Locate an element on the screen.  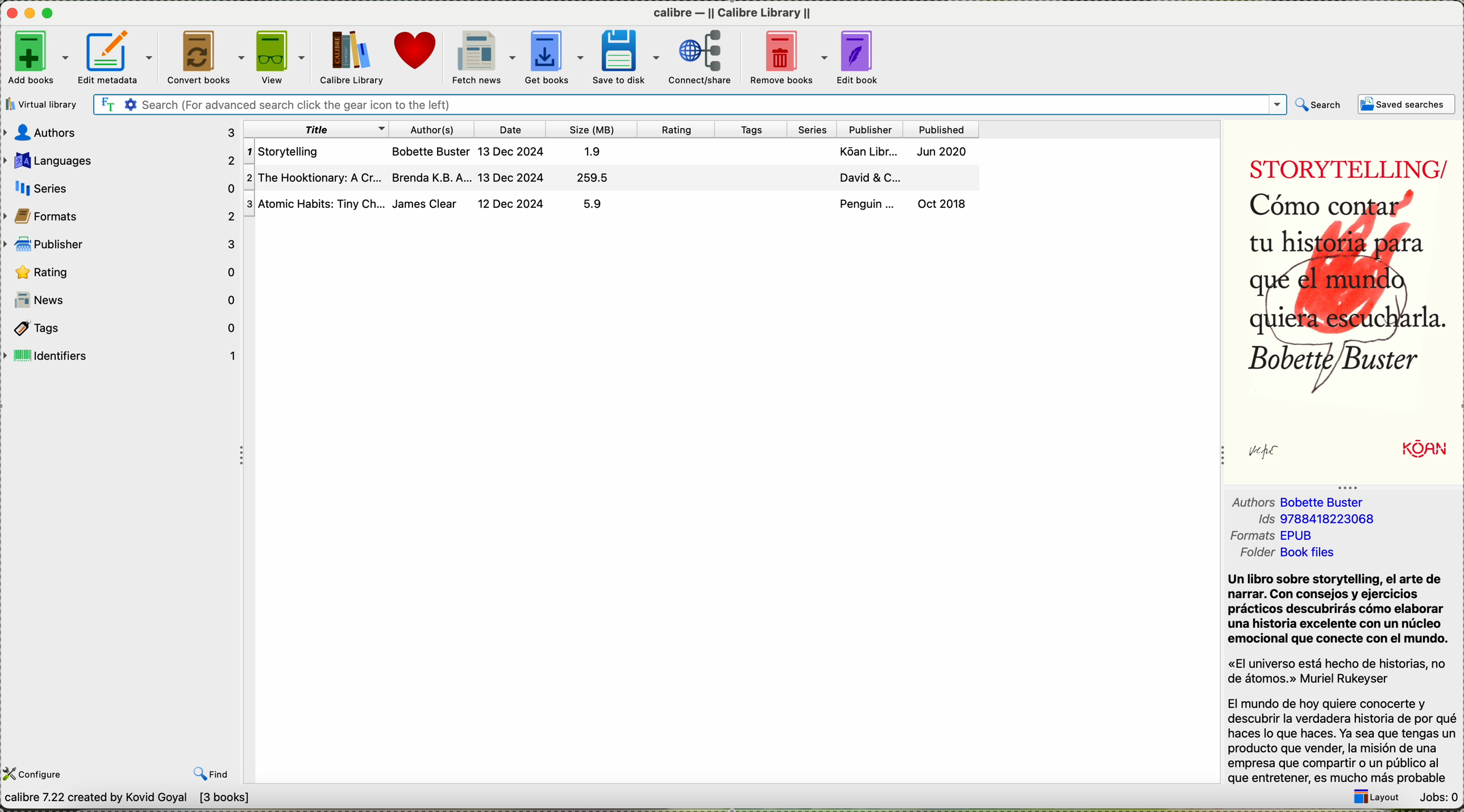
Search for advanced search click the gear icon to the left is located at coordinates (673, 105).